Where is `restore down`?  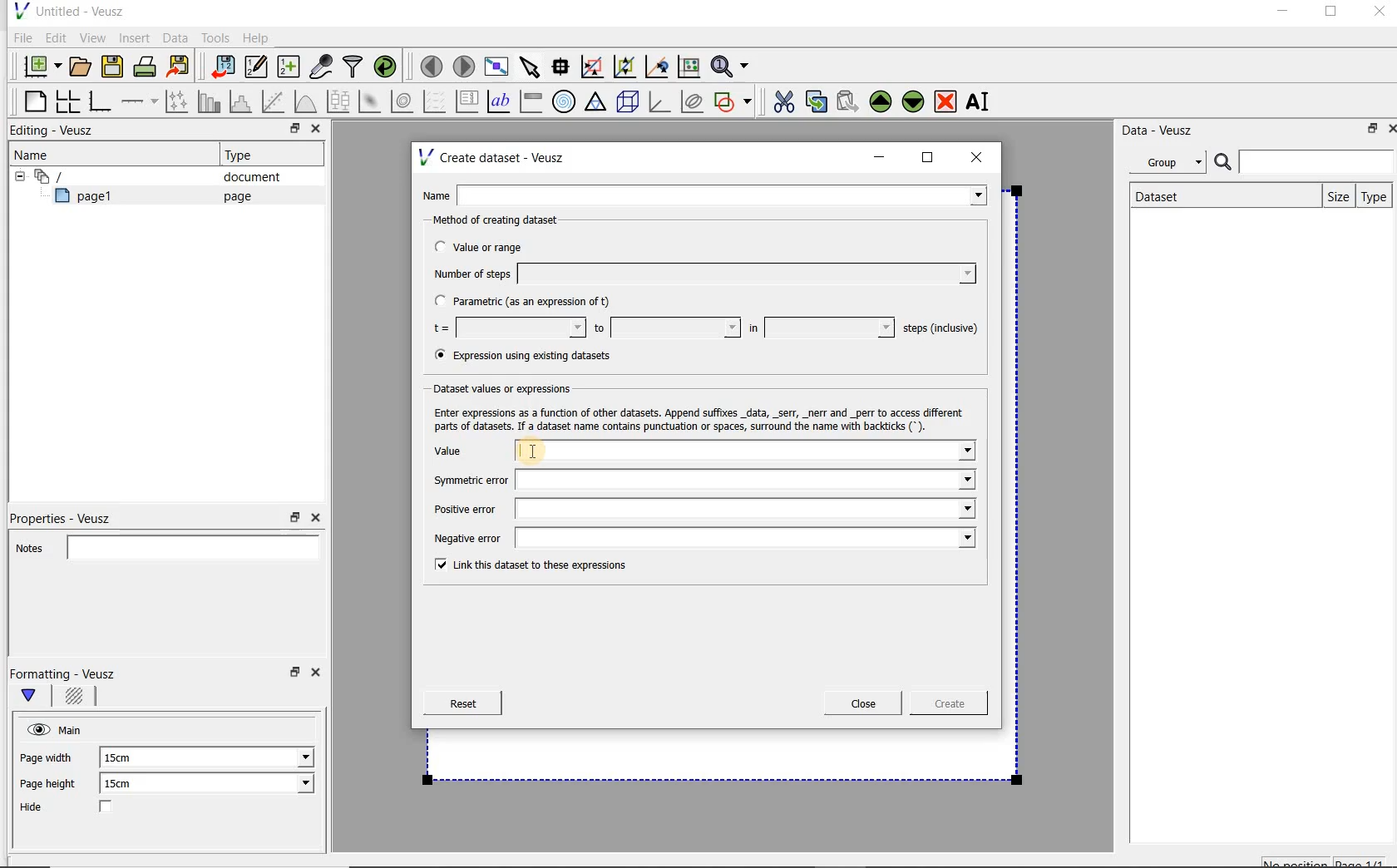
restore down is located at coordinates (1368, 131).